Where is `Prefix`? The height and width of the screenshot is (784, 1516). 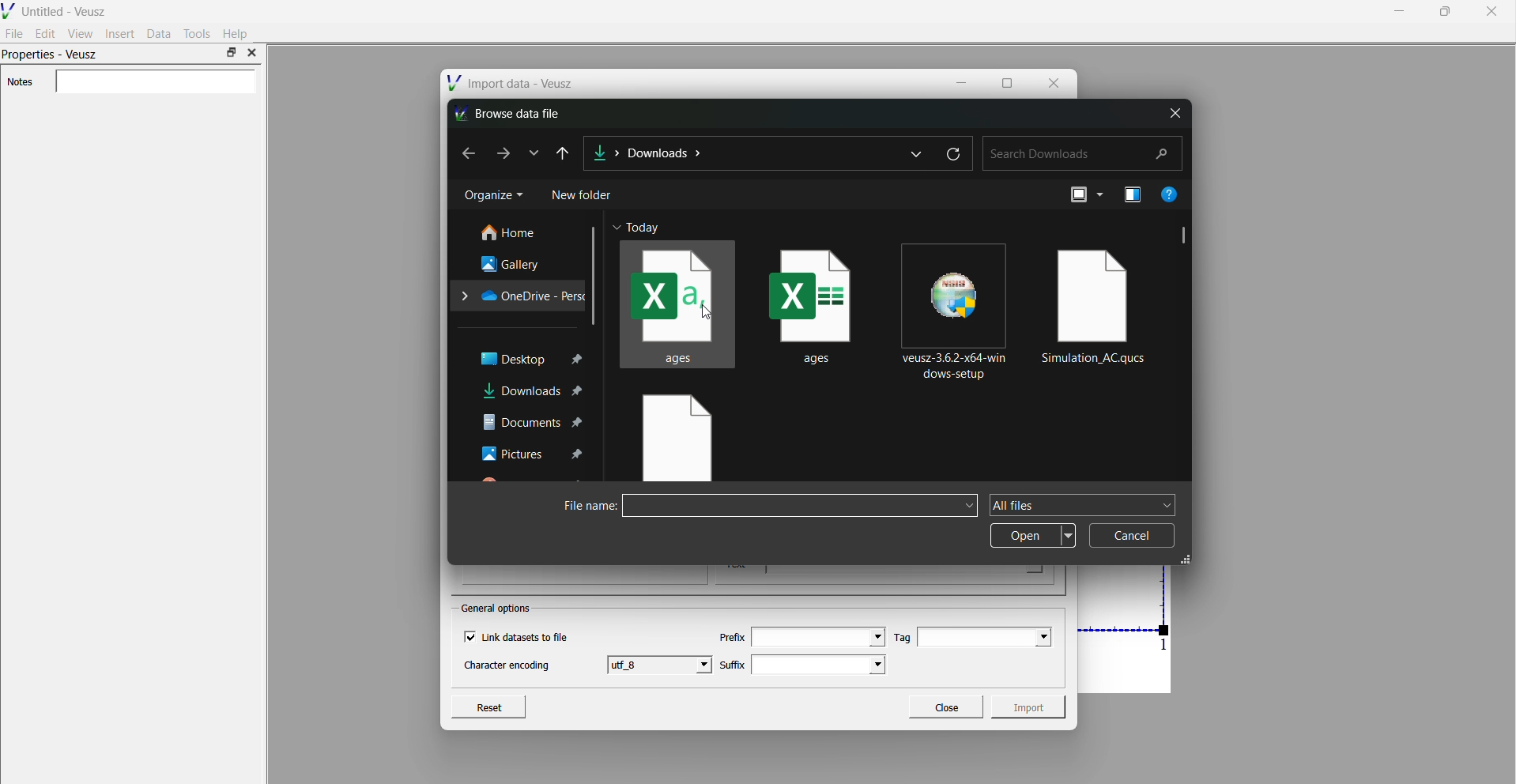 Prefix is located at coordinates (731, 637).